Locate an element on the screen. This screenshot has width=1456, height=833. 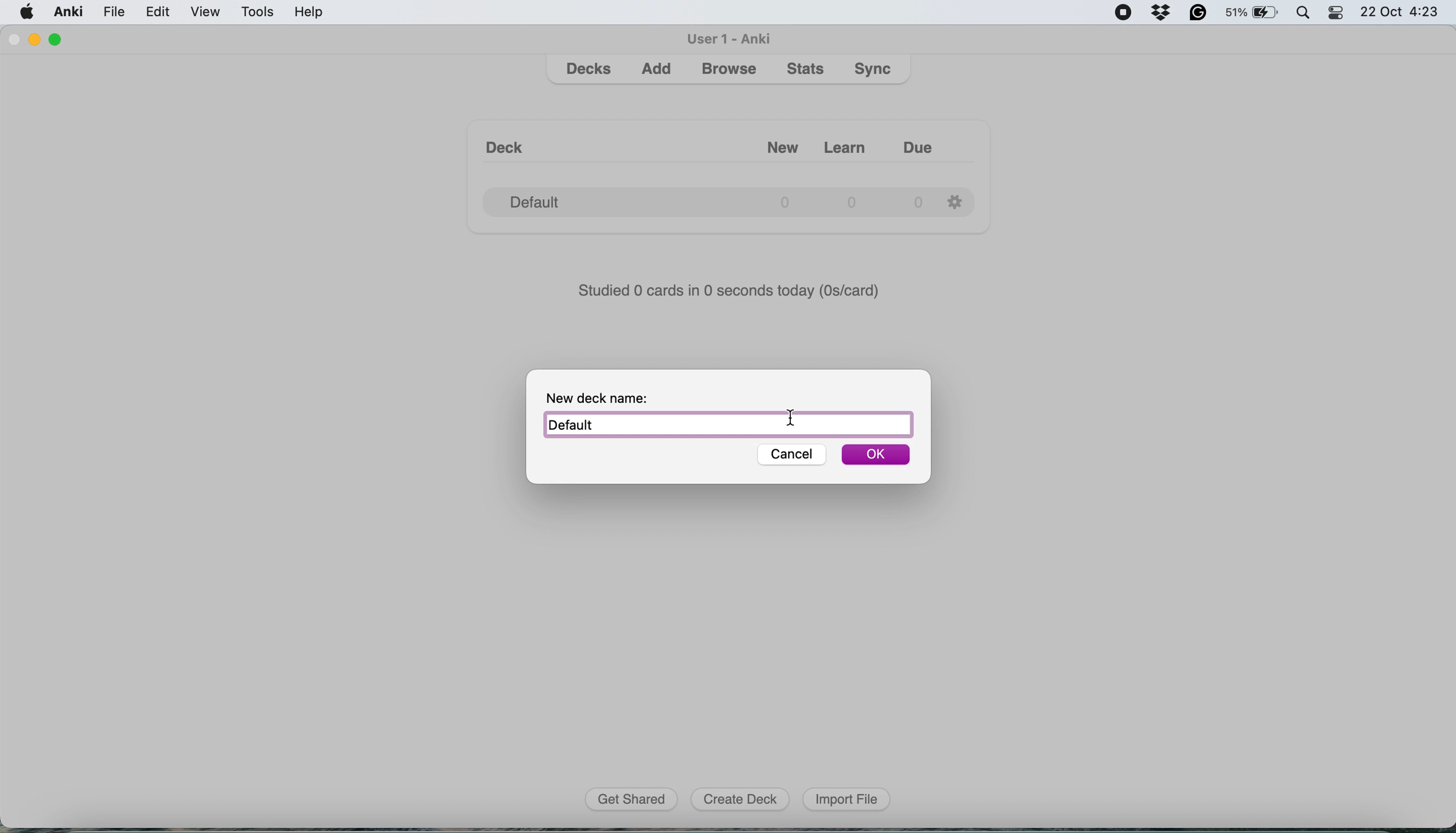
Due is located at coordinates (929, 142).